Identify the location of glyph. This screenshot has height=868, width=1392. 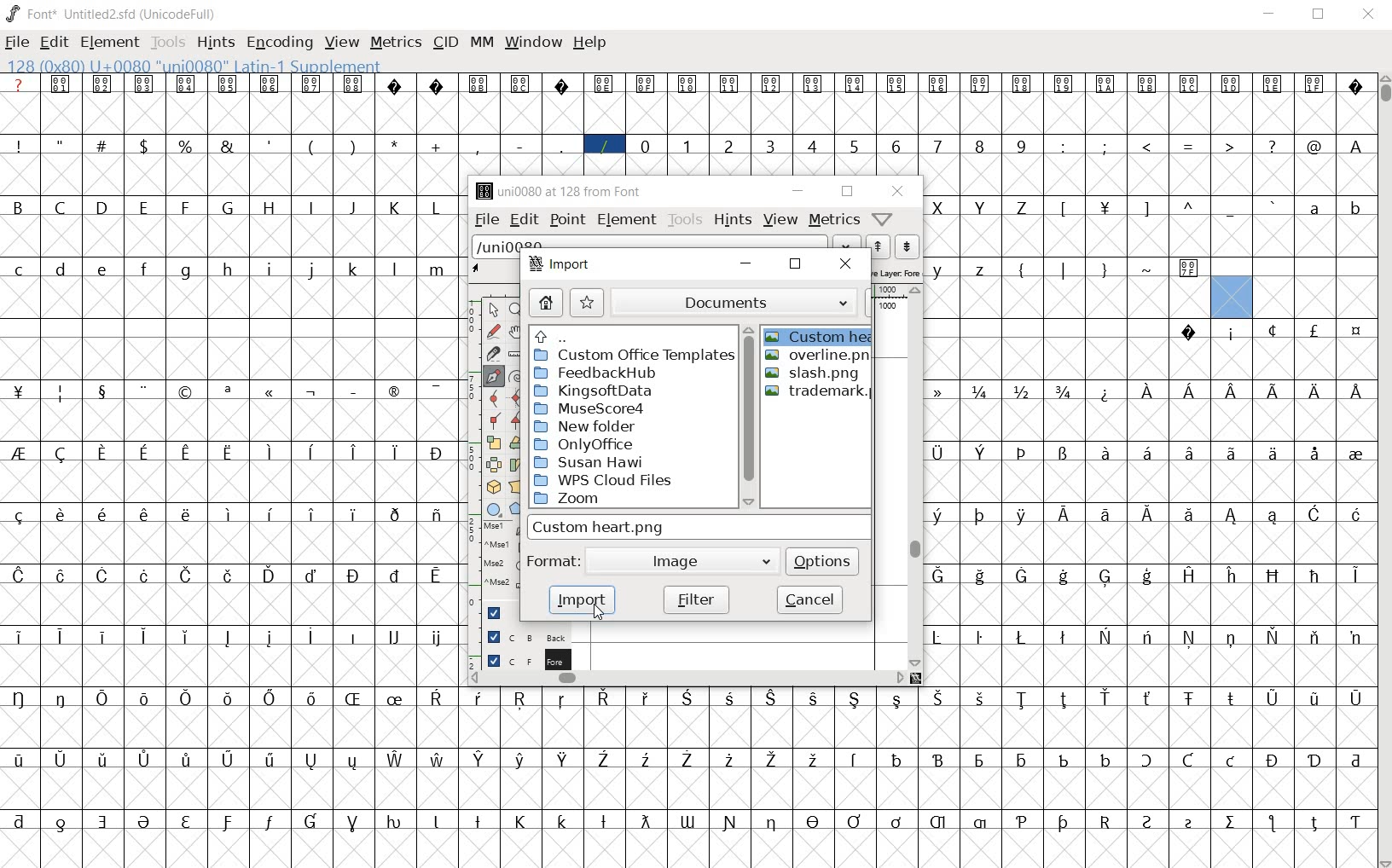
(898, 760).